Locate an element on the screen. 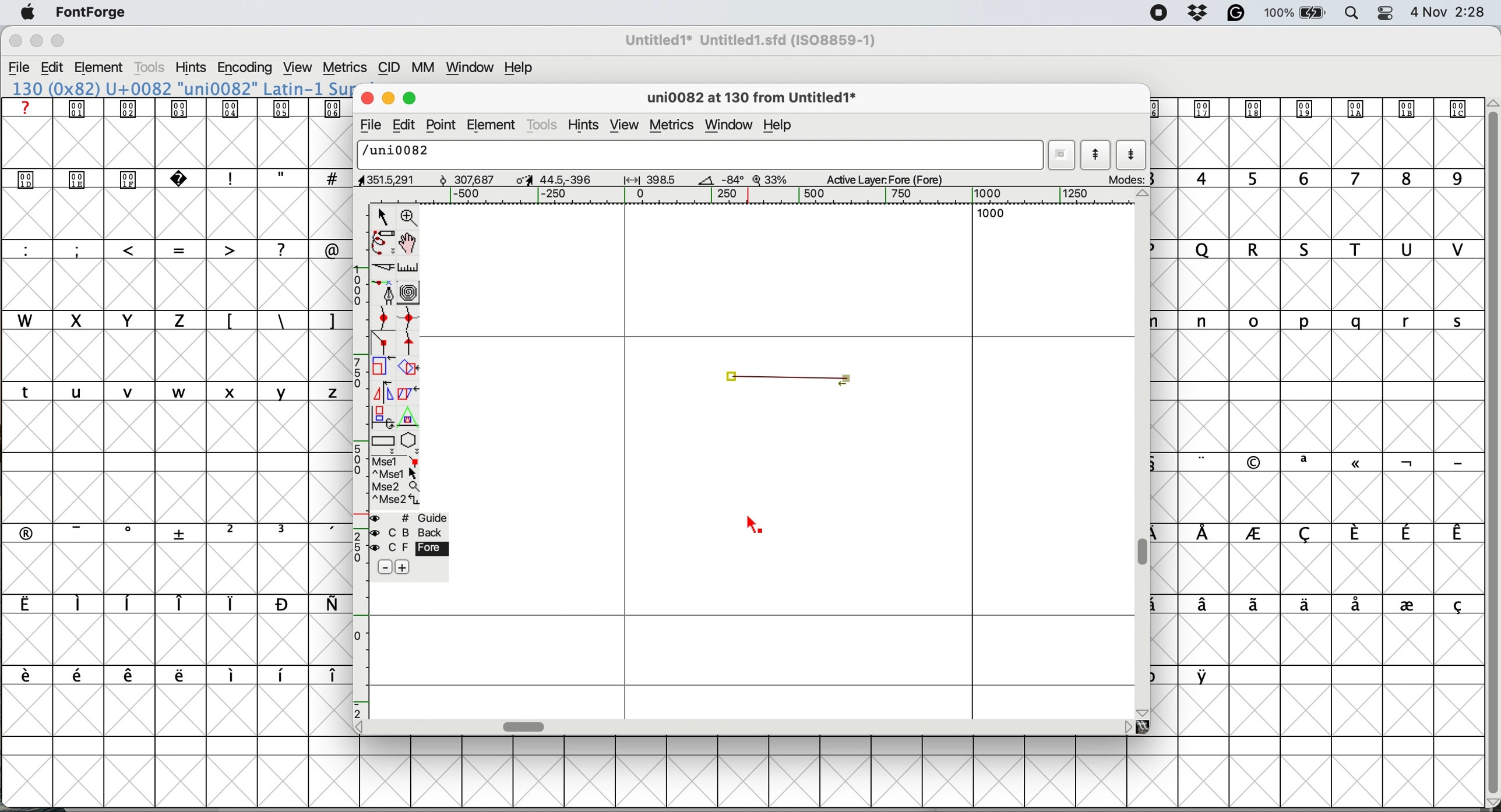 The width and height of the screenshot is (1501, 812). selector is located at coordinates (382, 218).